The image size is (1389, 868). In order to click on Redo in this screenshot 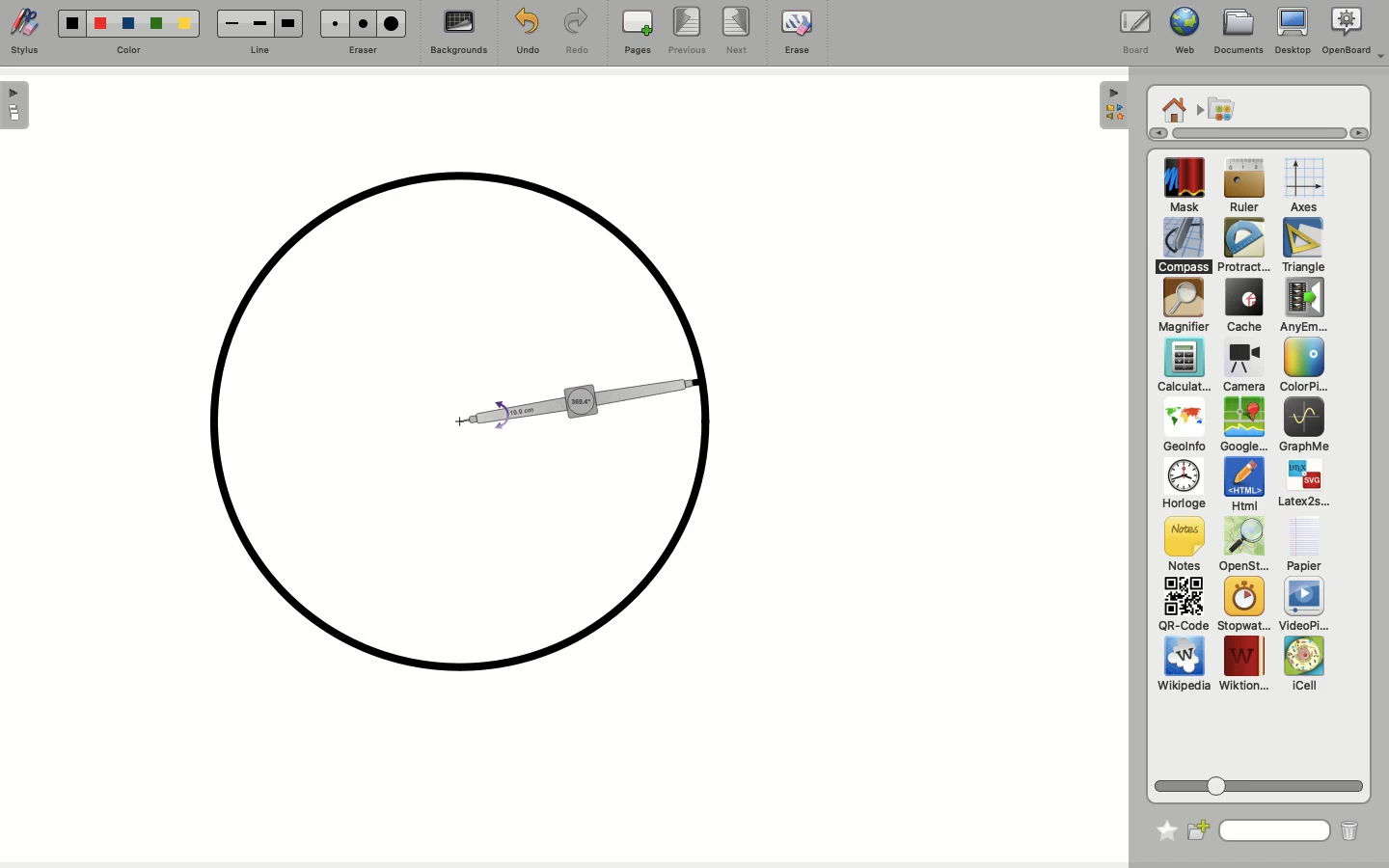, I will do `click(578, 33)`.